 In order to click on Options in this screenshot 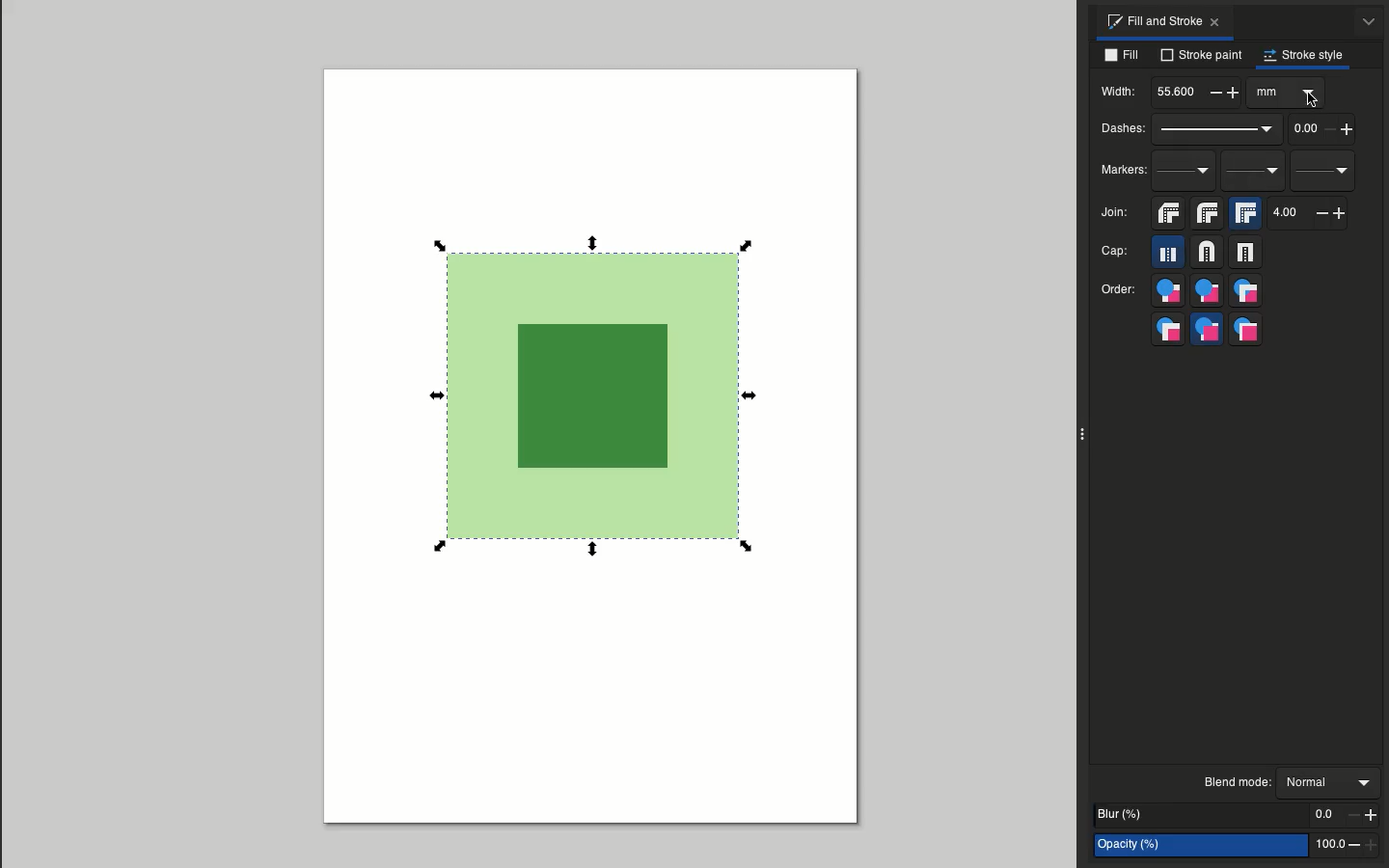, I will do `click(1365, 22)`.